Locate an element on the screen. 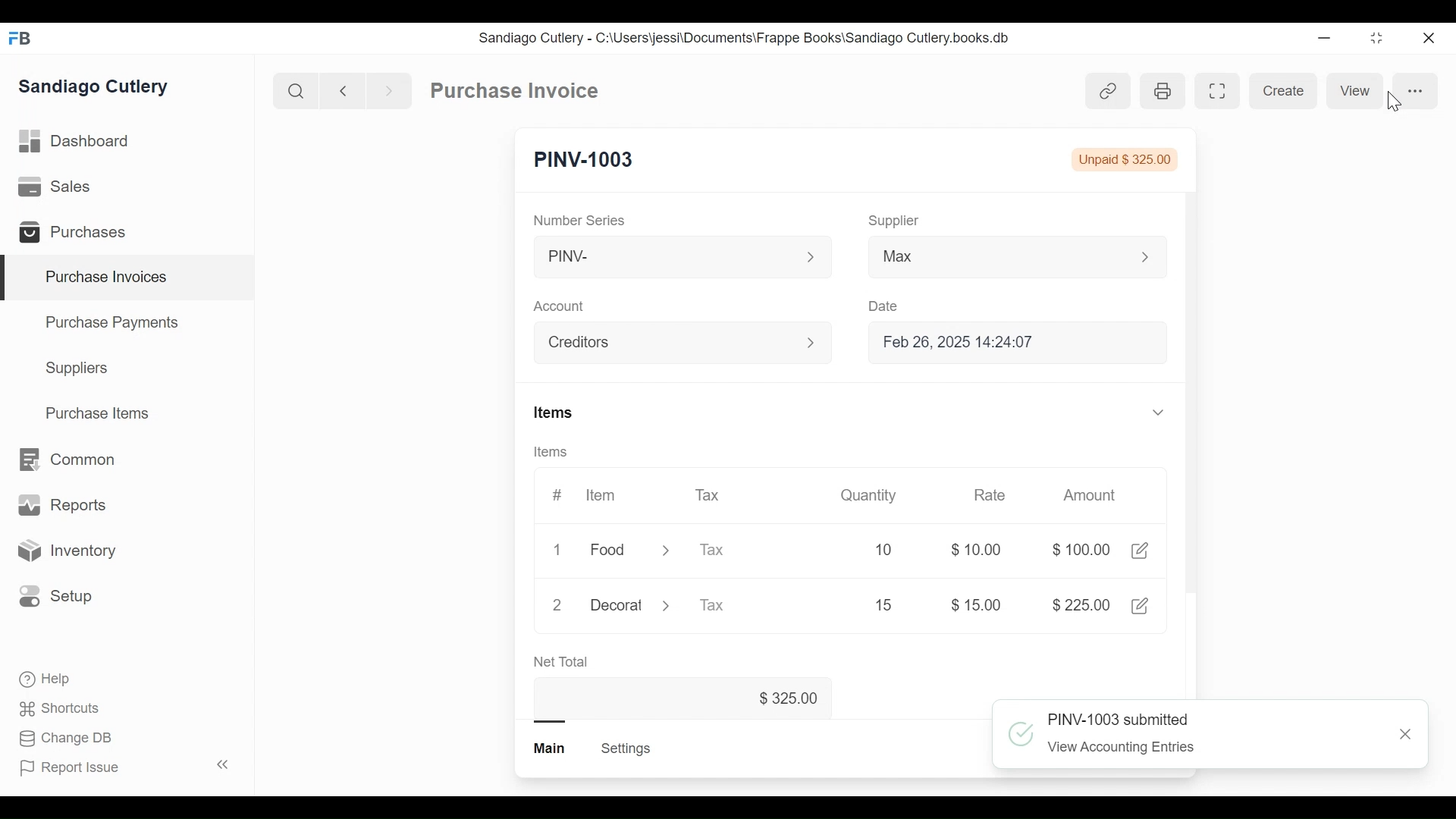  Sandiago Cutlery - C:\Users\jessi\Documents\Frappe Books\Sandiago Cutlery.books.db is located at coordinates (745, 38).